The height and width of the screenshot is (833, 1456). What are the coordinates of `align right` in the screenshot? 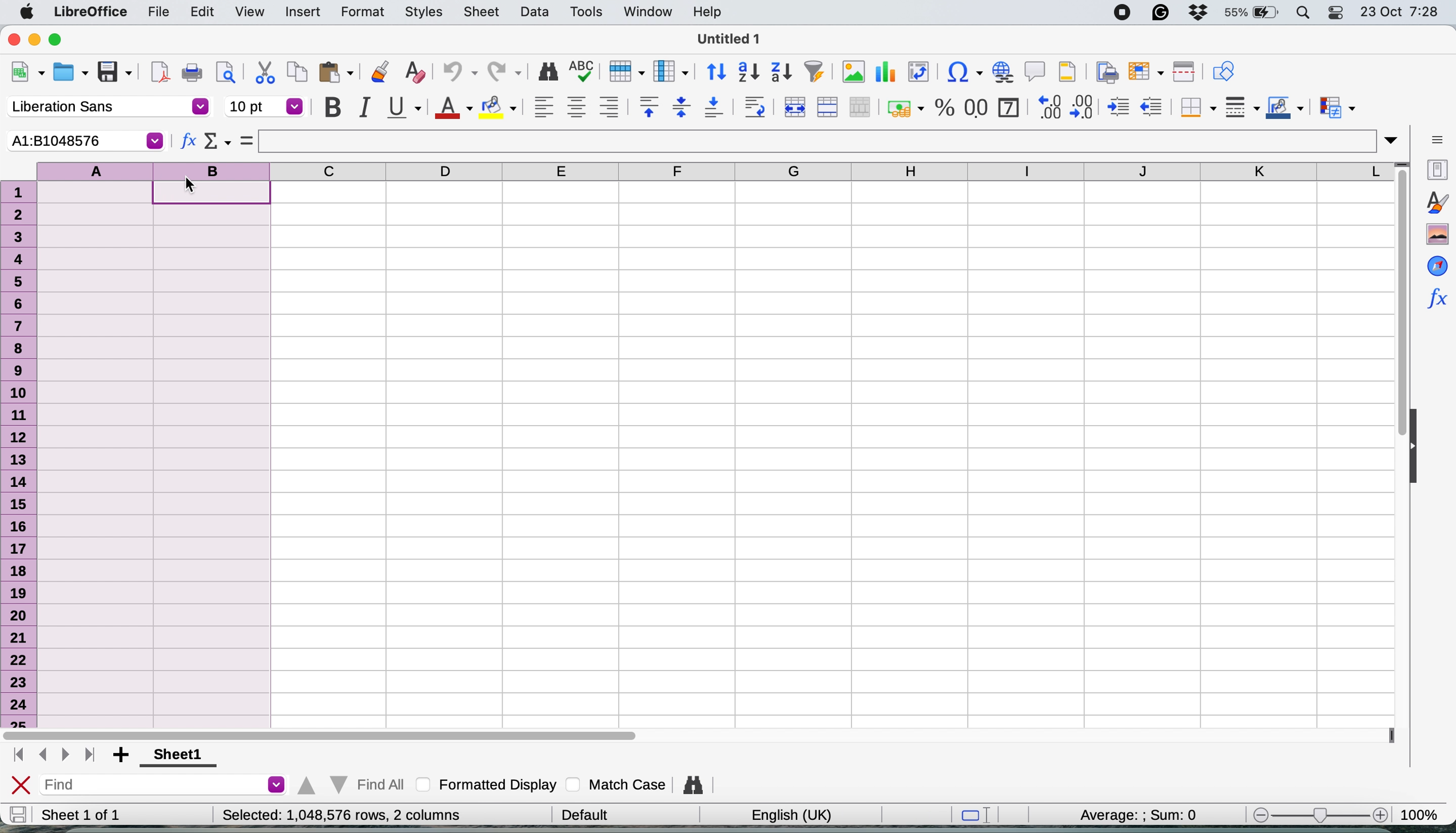 It's located at (610, 107).